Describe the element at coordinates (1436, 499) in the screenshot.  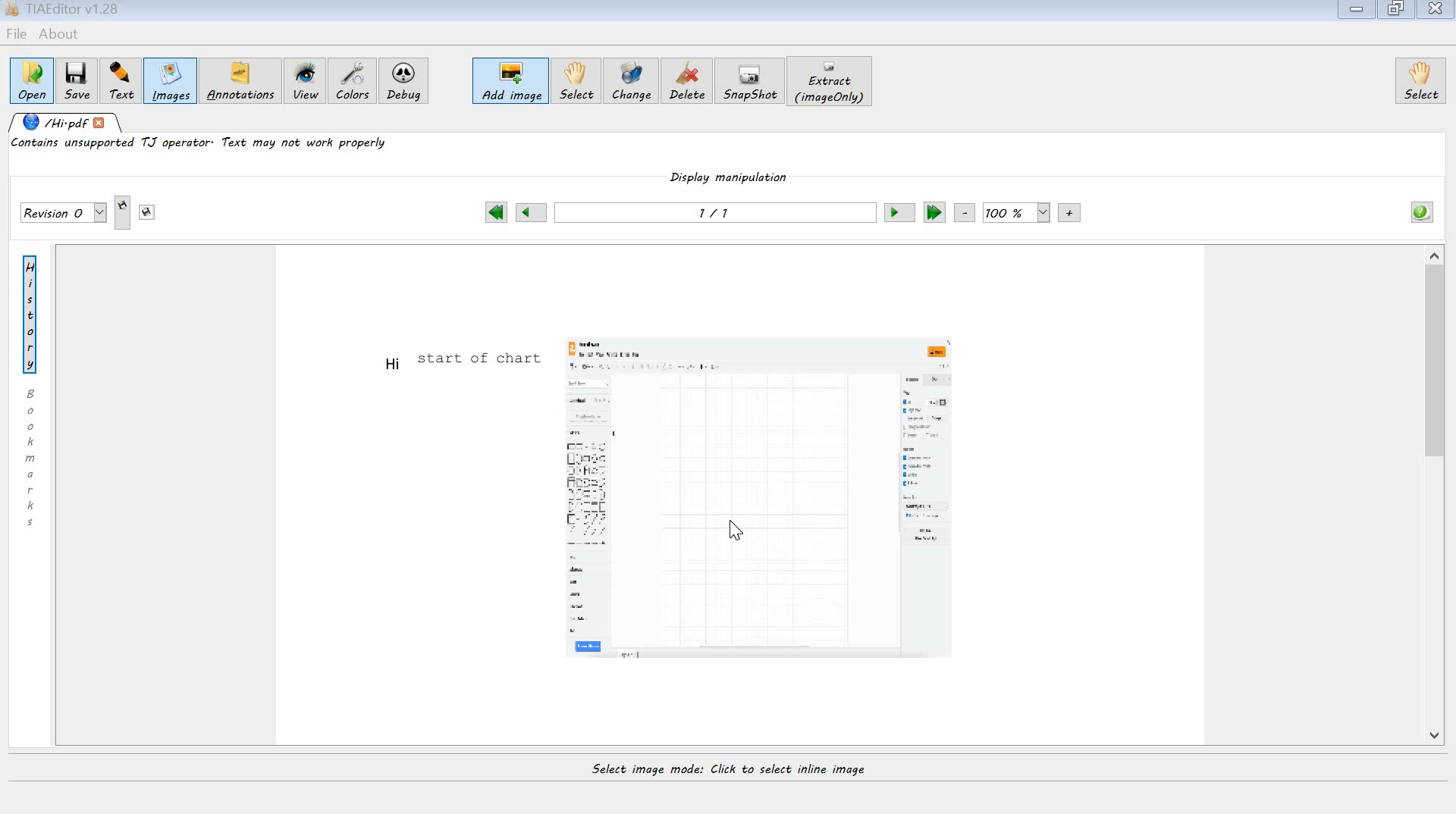
I see `scrollbar` at that location.